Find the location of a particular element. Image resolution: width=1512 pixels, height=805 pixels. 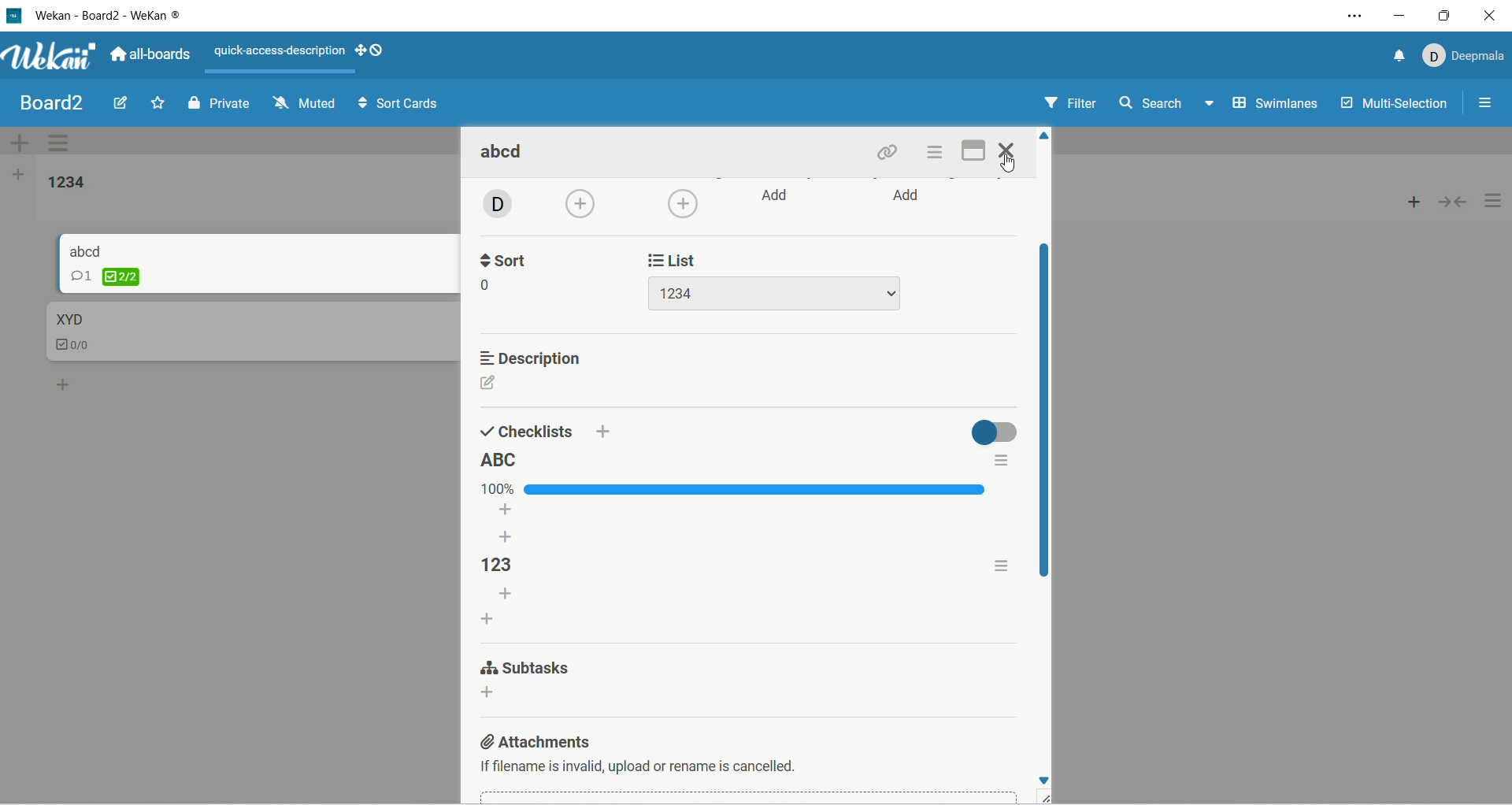

add is located at coordinates (583, 205).